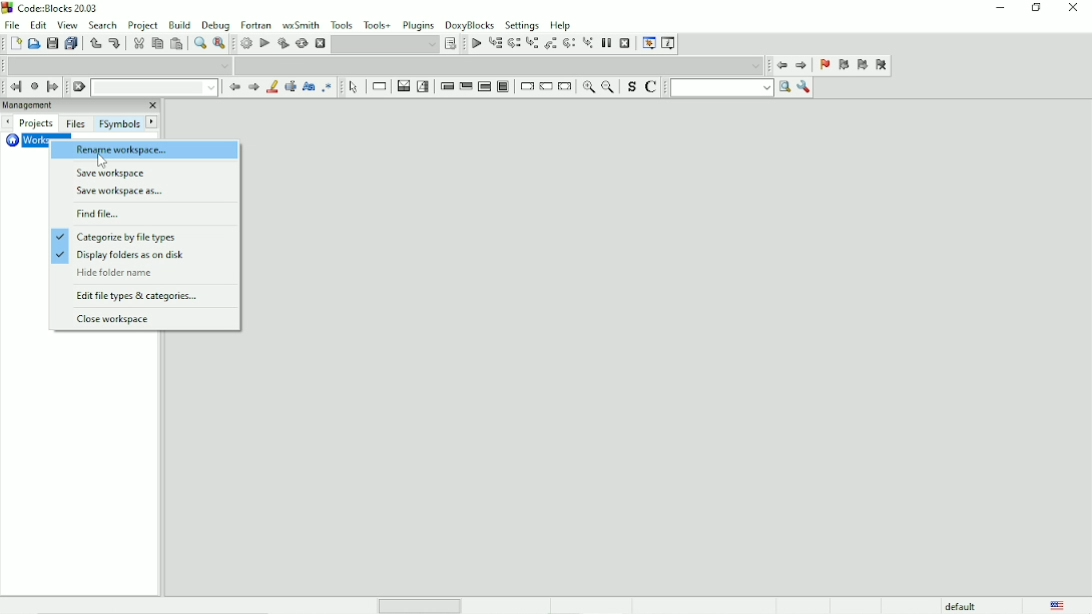 The height and width of the screenshot is (614, 1092). What do you see at coordinates (38, 24) in the screenshot?
I see `Edit` at bounding box center [38, 24].